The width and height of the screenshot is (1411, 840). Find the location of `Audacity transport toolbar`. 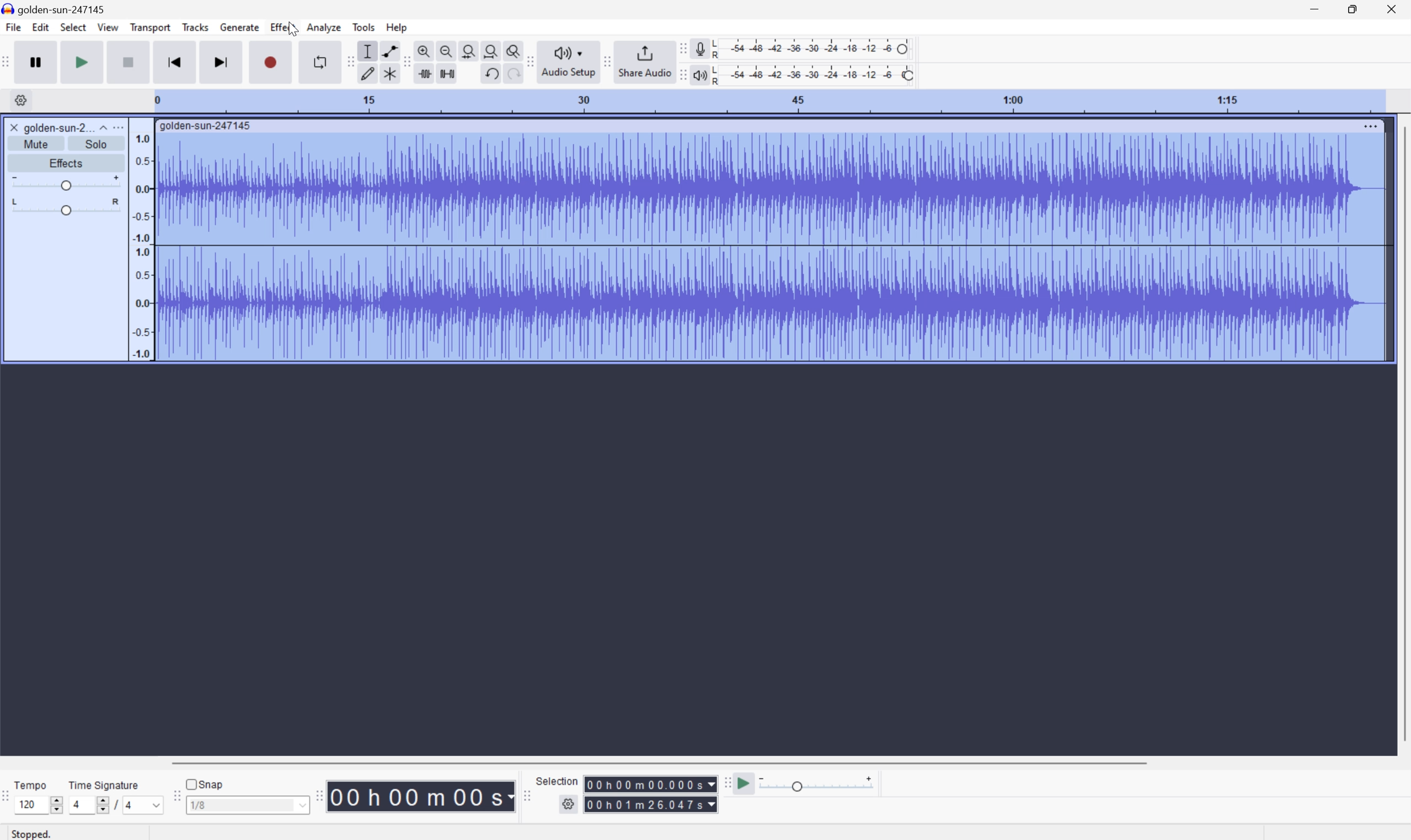

Audacity transport toolbar is located at coordinates (9, 60).